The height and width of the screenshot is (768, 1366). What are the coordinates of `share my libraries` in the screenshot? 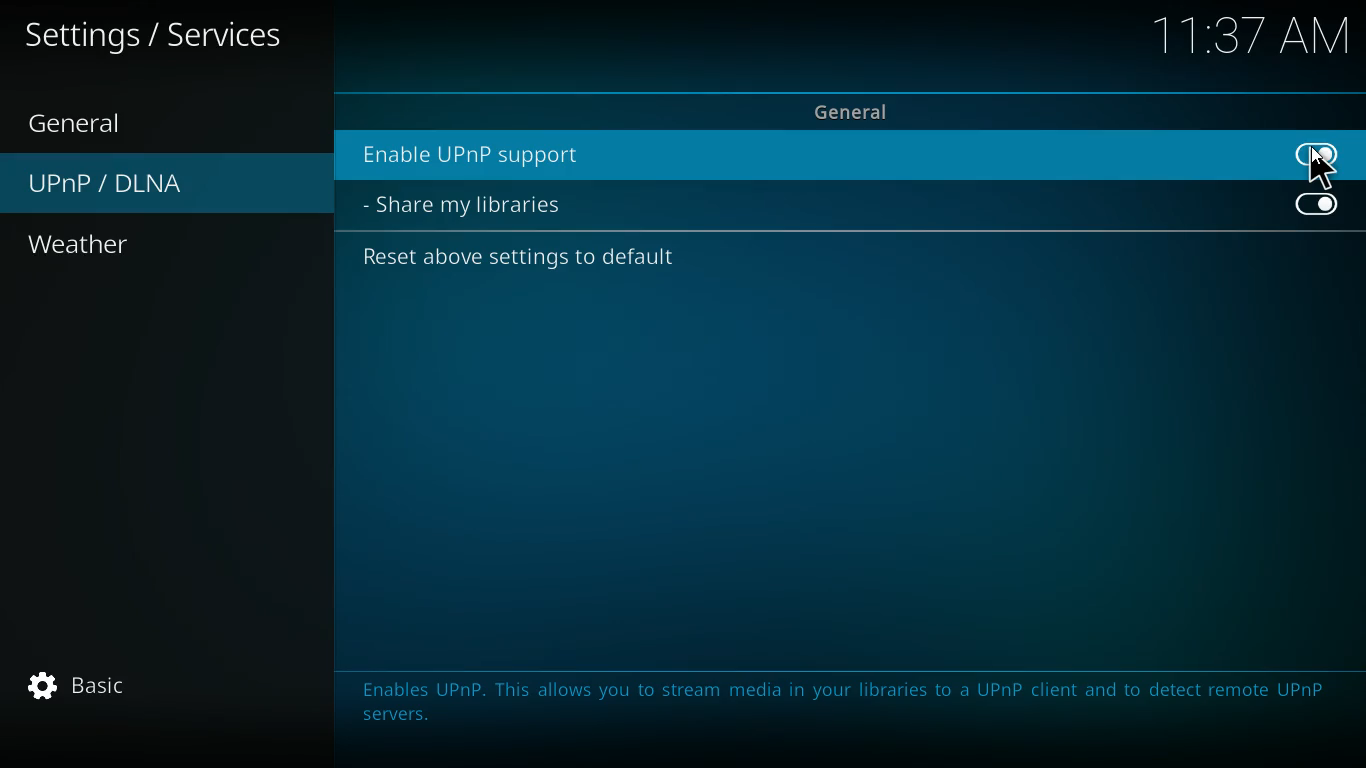 It's located at (476, 206).